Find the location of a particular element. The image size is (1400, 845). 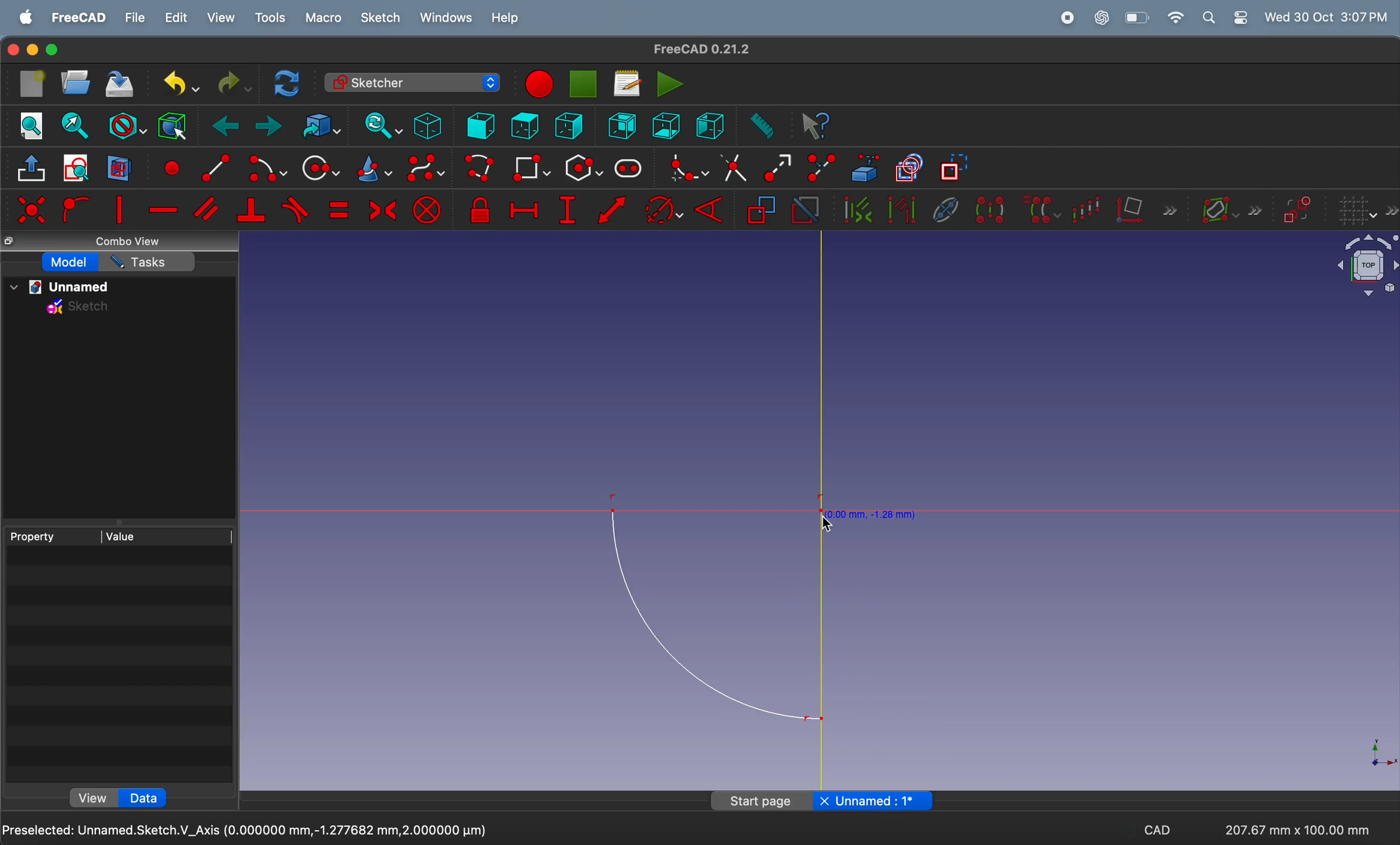

(0.00 mm, -1.28 mm) is located at coordinates (873, 513).